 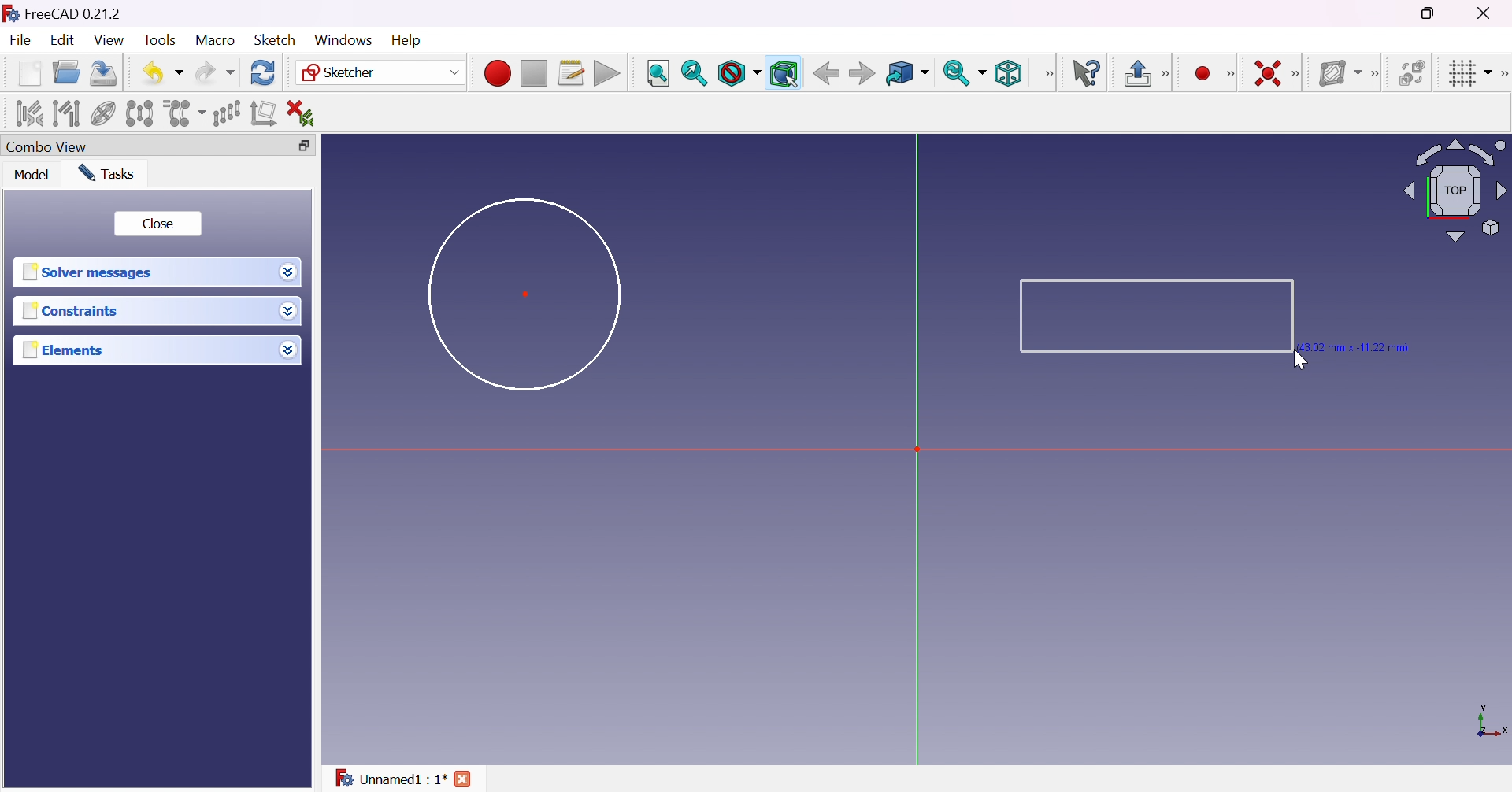 What do you see at coordinates (1415, 72) in the screenshot?
I see `Switch virtual space` at bounding box center [1415, 72].